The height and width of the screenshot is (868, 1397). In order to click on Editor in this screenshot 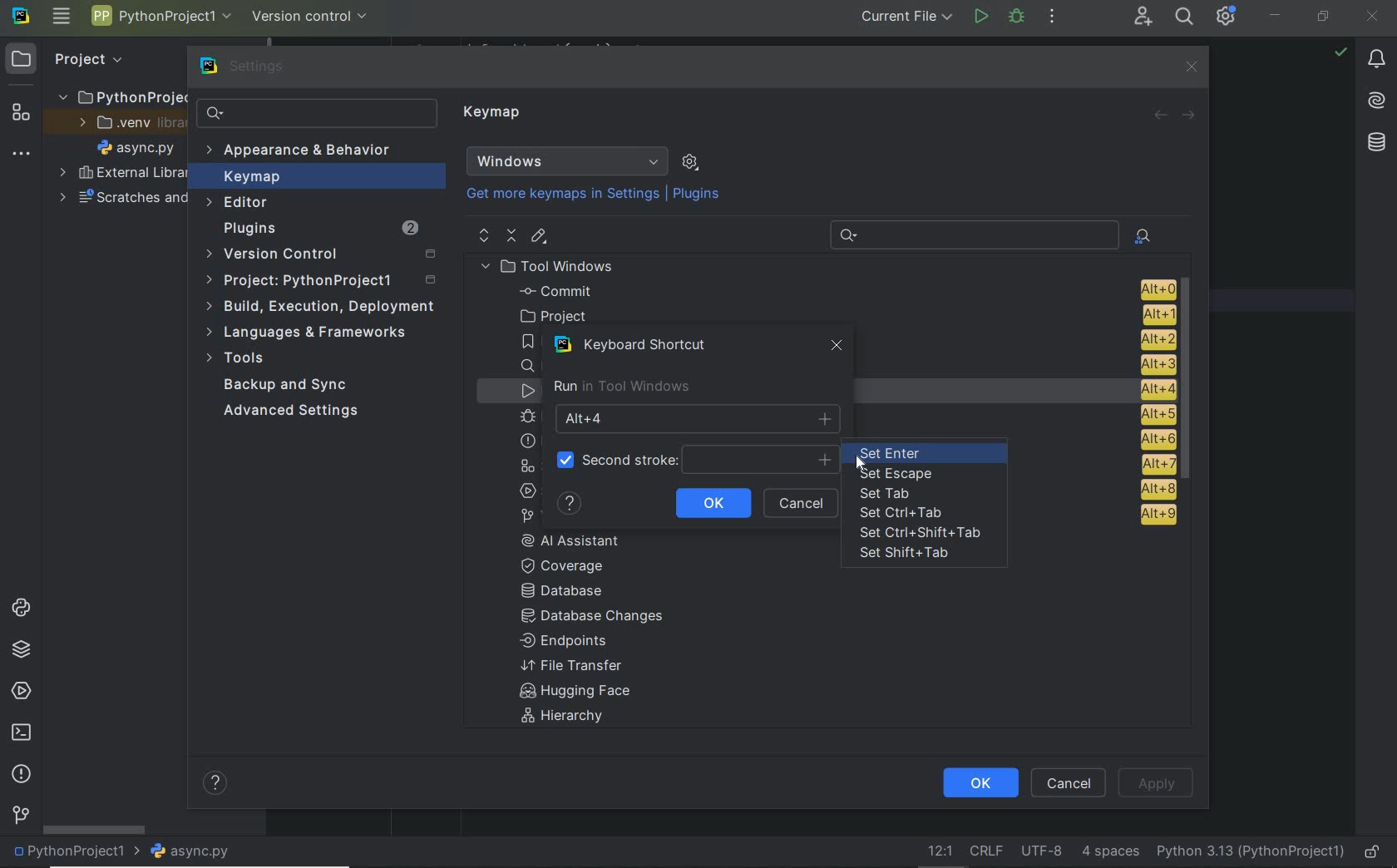, I will do `click(239, 203)`.